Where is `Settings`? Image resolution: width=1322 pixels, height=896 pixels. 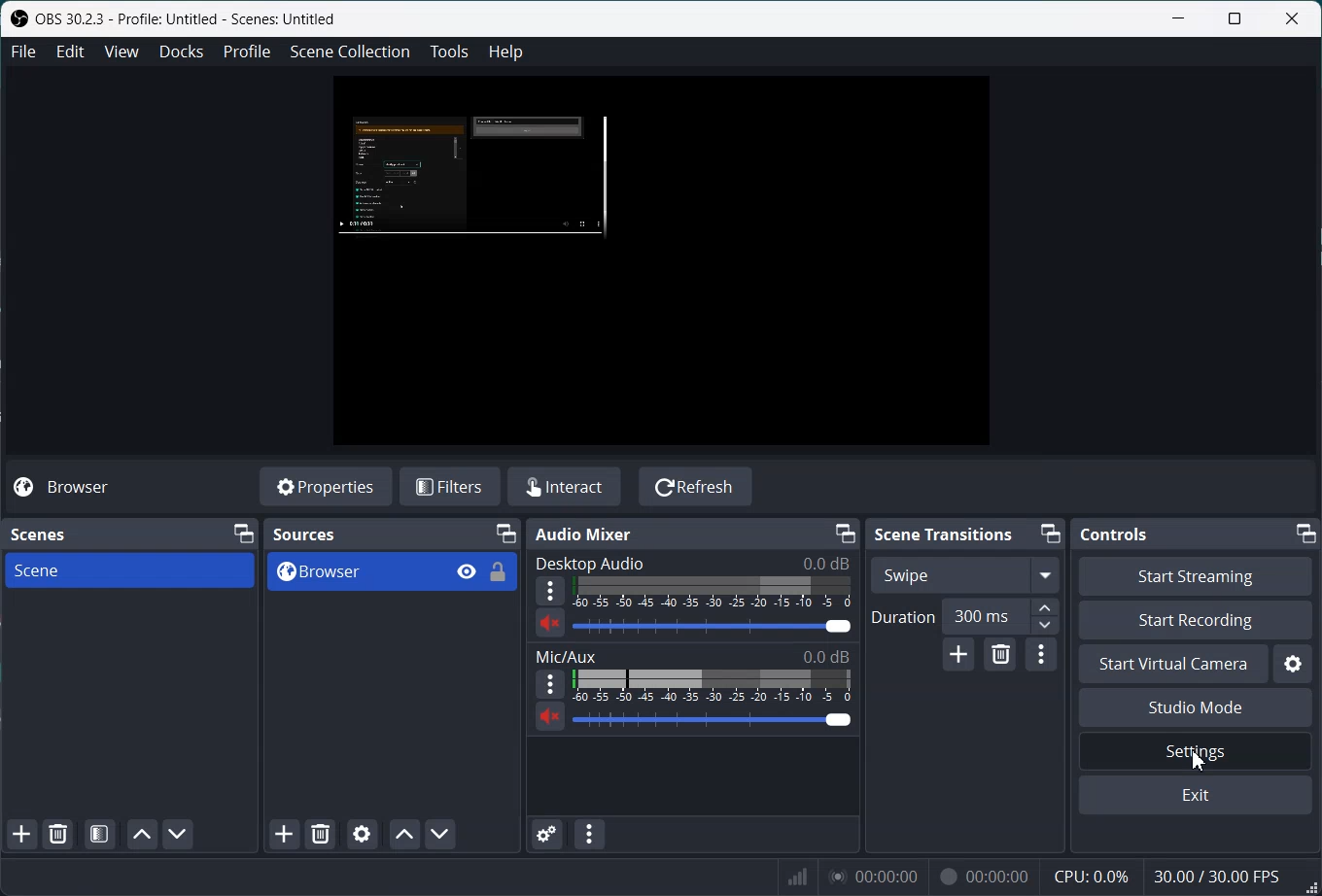
Settings is located at coordinates (1294, 664).